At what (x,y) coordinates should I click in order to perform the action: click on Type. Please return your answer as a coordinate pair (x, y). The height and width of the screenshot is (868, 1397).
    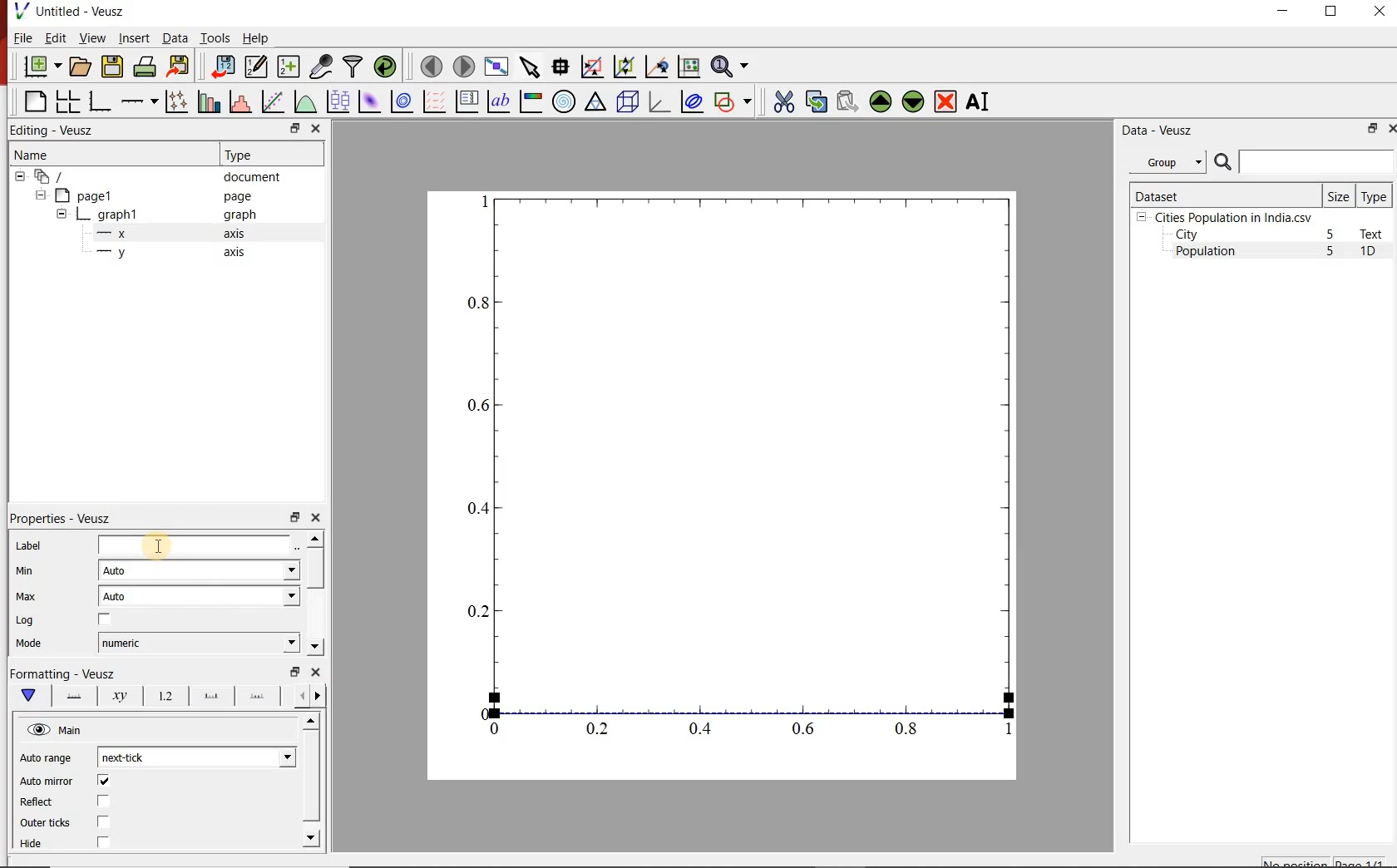
    Looking at the image, I should click on (1375, 195).